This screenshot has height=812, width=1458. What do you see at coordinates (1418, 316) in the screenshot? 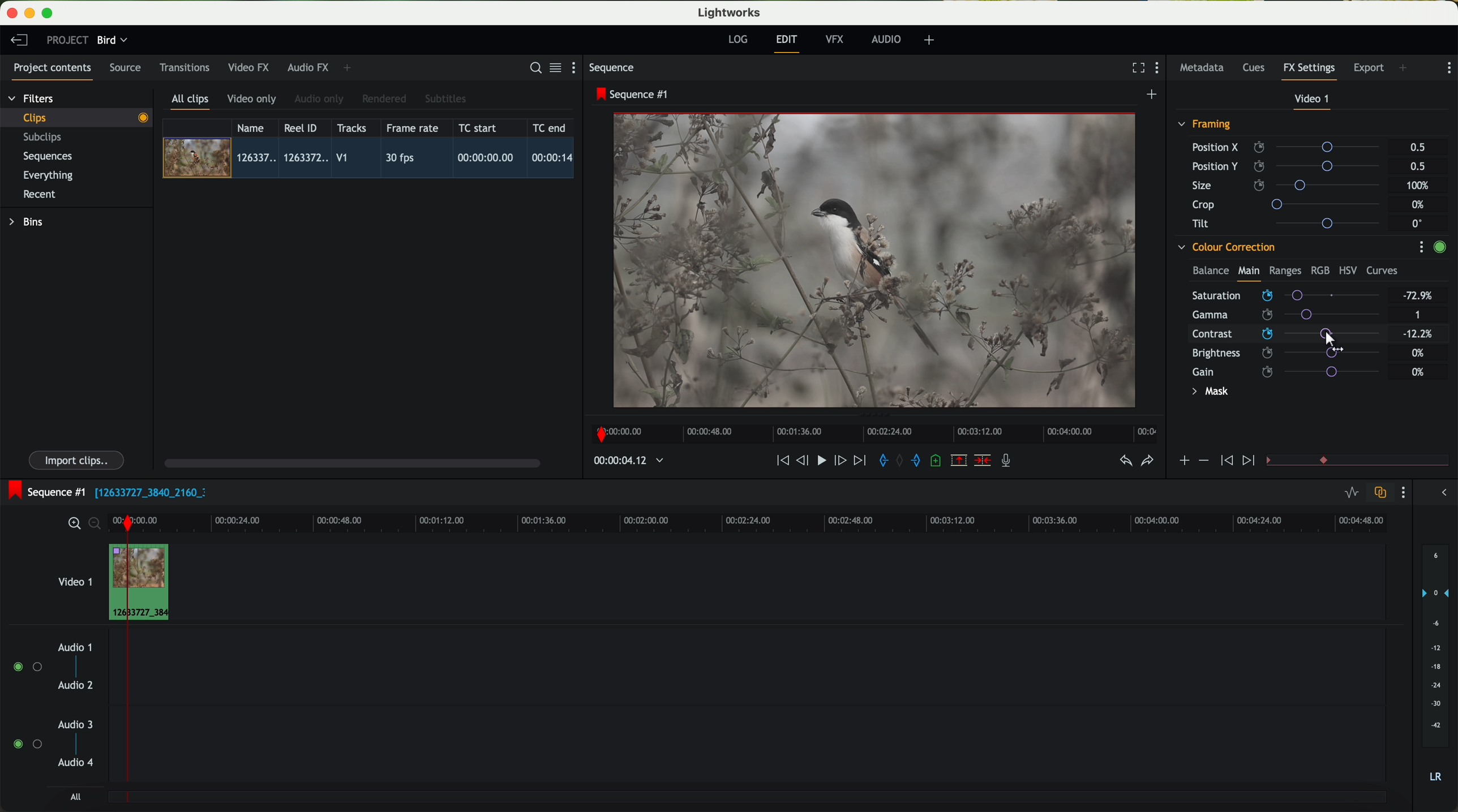
I see `1` at bounding box center [1418, 316].